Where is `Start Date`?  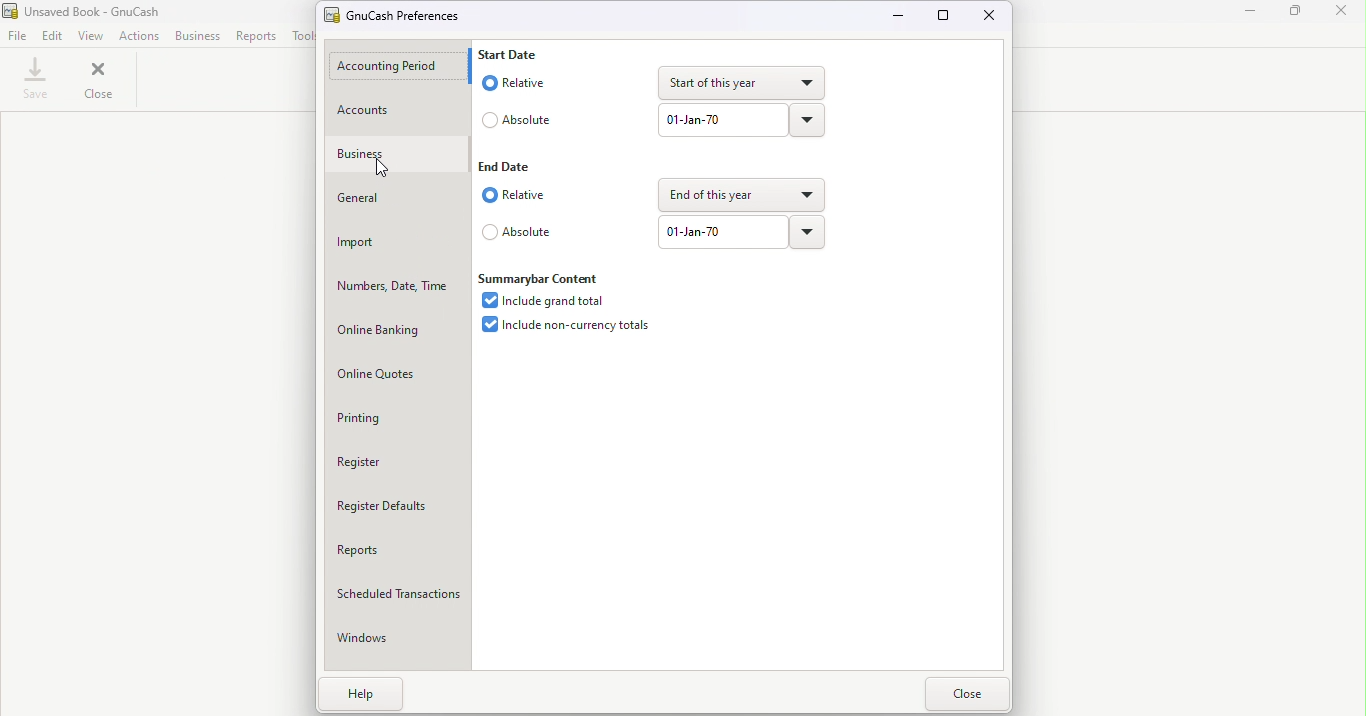
Start Date is located at coordinates (512, 53).